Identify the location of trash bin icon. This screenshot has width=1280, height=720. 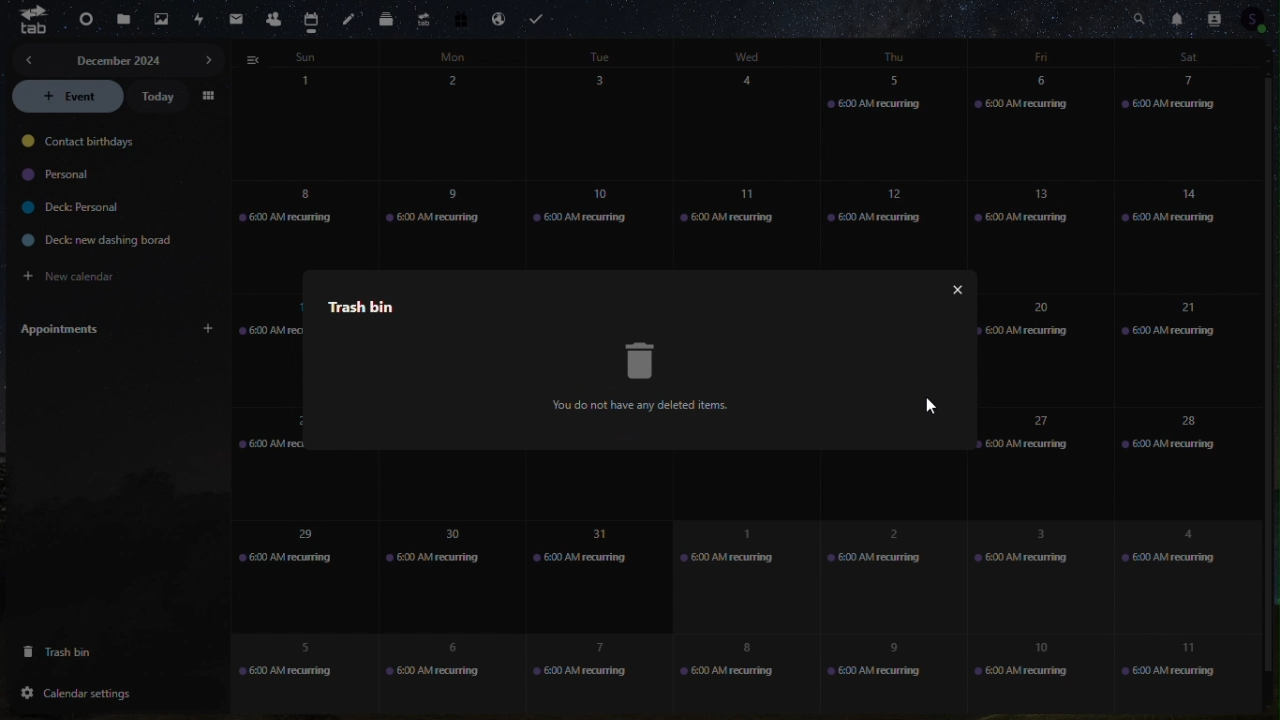
(653, 375).